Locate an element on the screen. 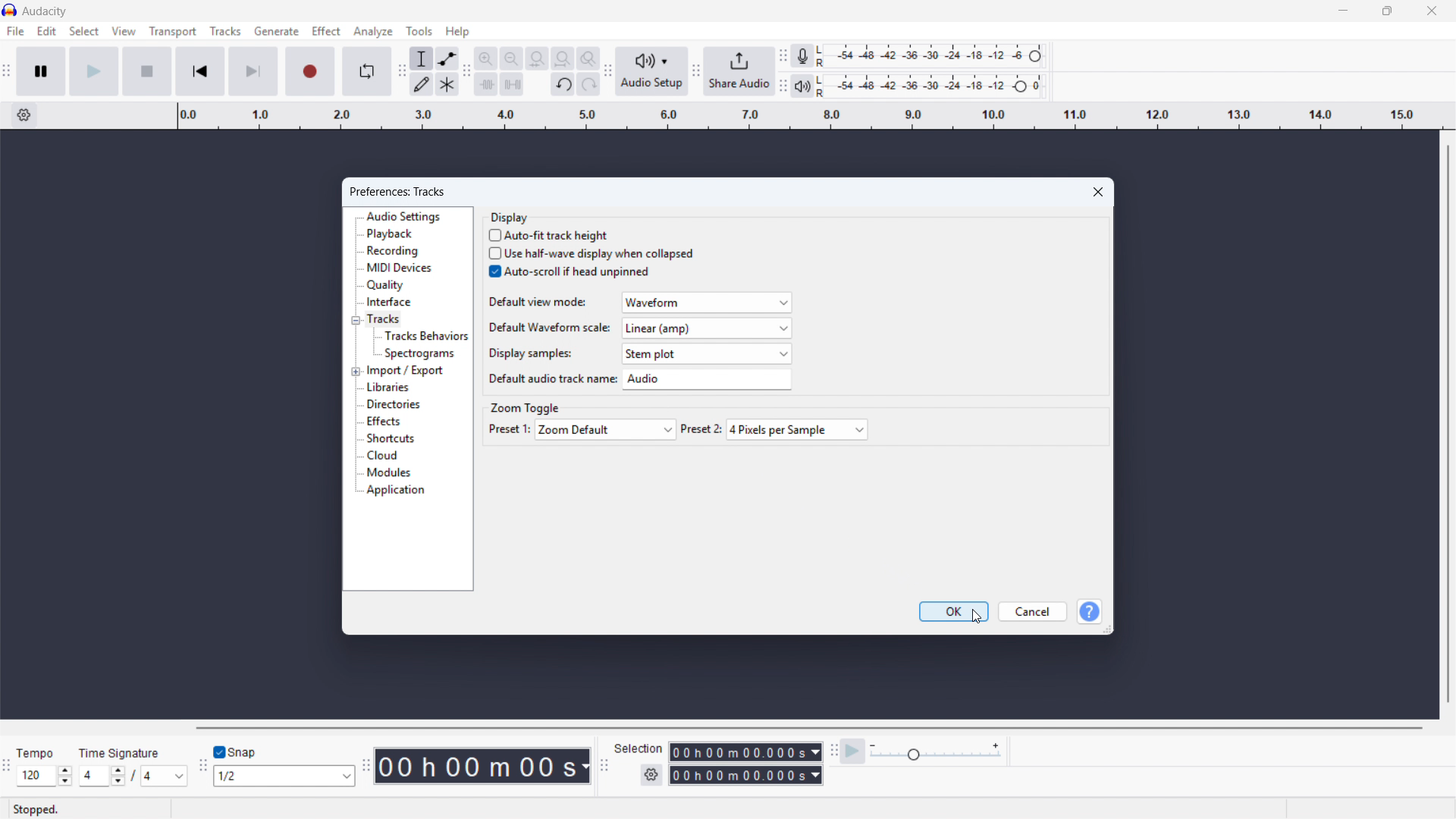 Image resolution: width=1456 pixels, height=819 pixels. ok is located at coordinates (954, 612).